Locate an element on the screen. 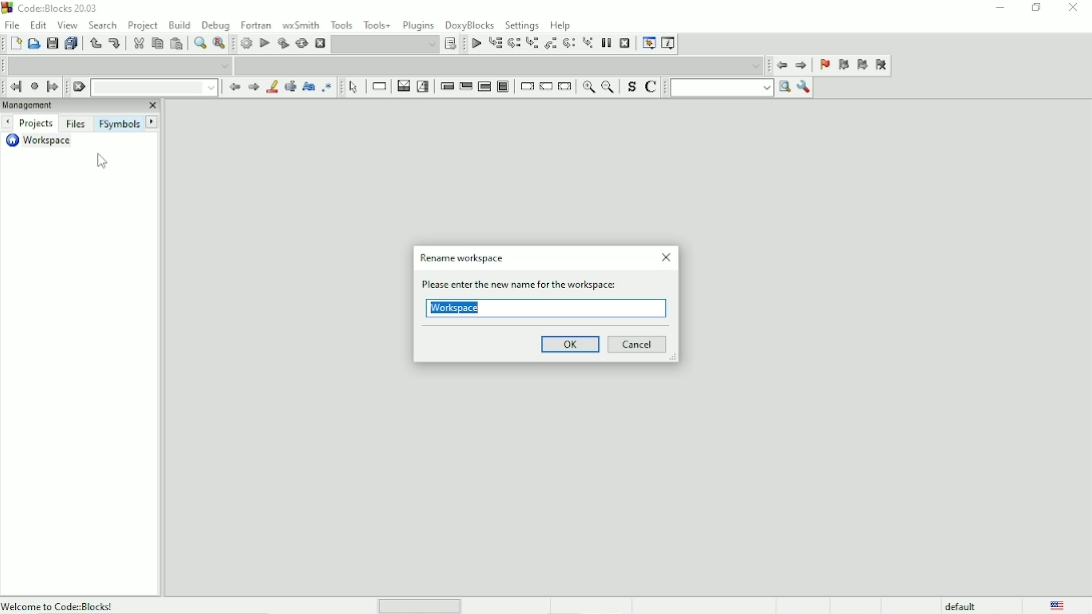 This screenshot has height=614, width=1092. Abort is located at coordinates (320, 42).